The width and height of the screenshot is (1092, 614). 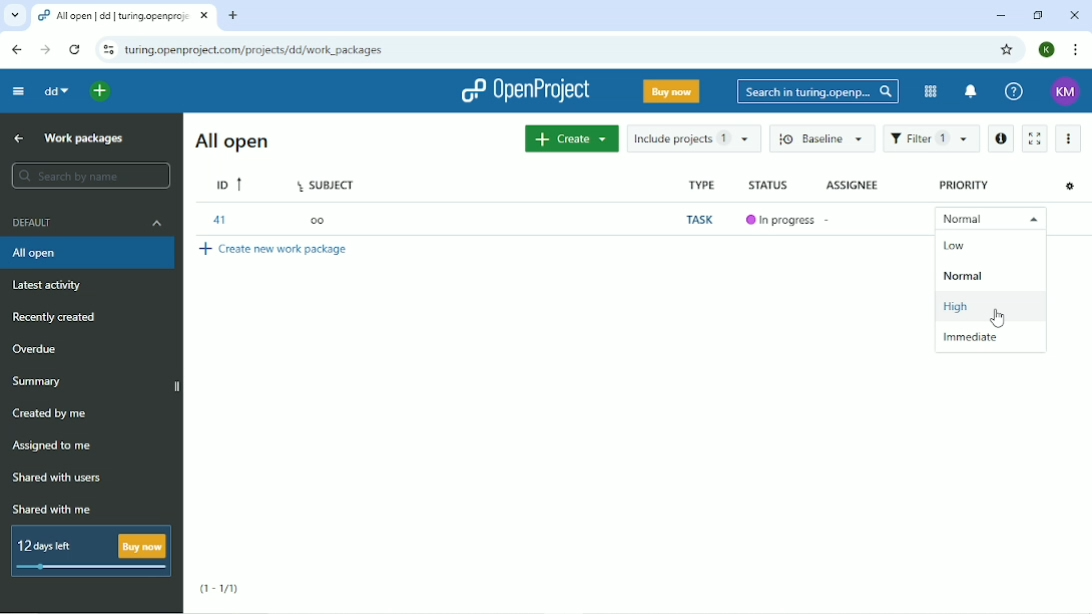 I want to click on Latest activity, so click(x=51, y=286).